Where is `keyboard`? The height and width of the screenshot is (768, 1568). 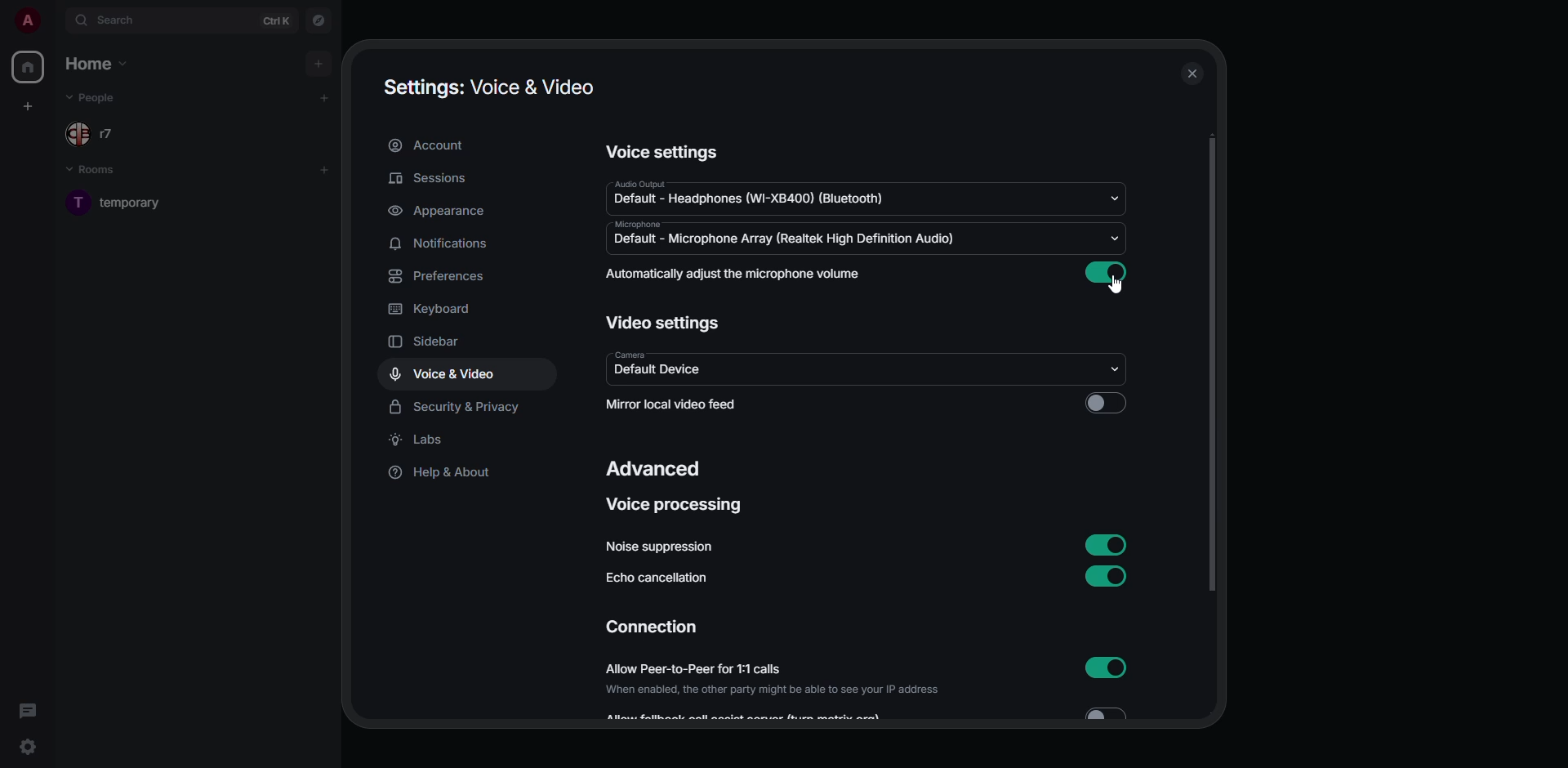 keyboard is located at coordinates (430, 308).